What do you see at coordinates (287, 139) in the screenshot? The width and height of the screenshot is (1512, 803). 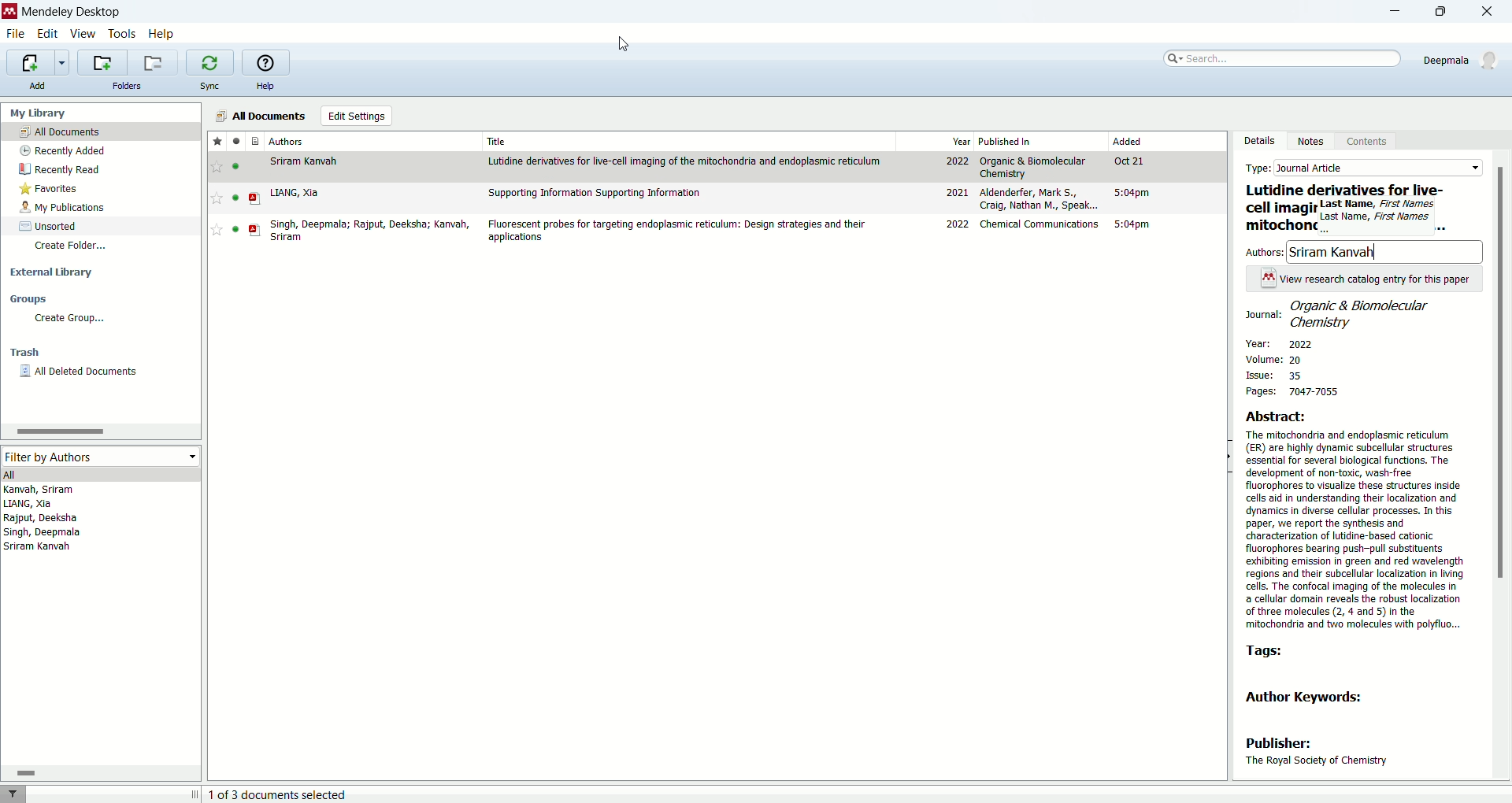 I see `authors` at bounding box center [287, 139].